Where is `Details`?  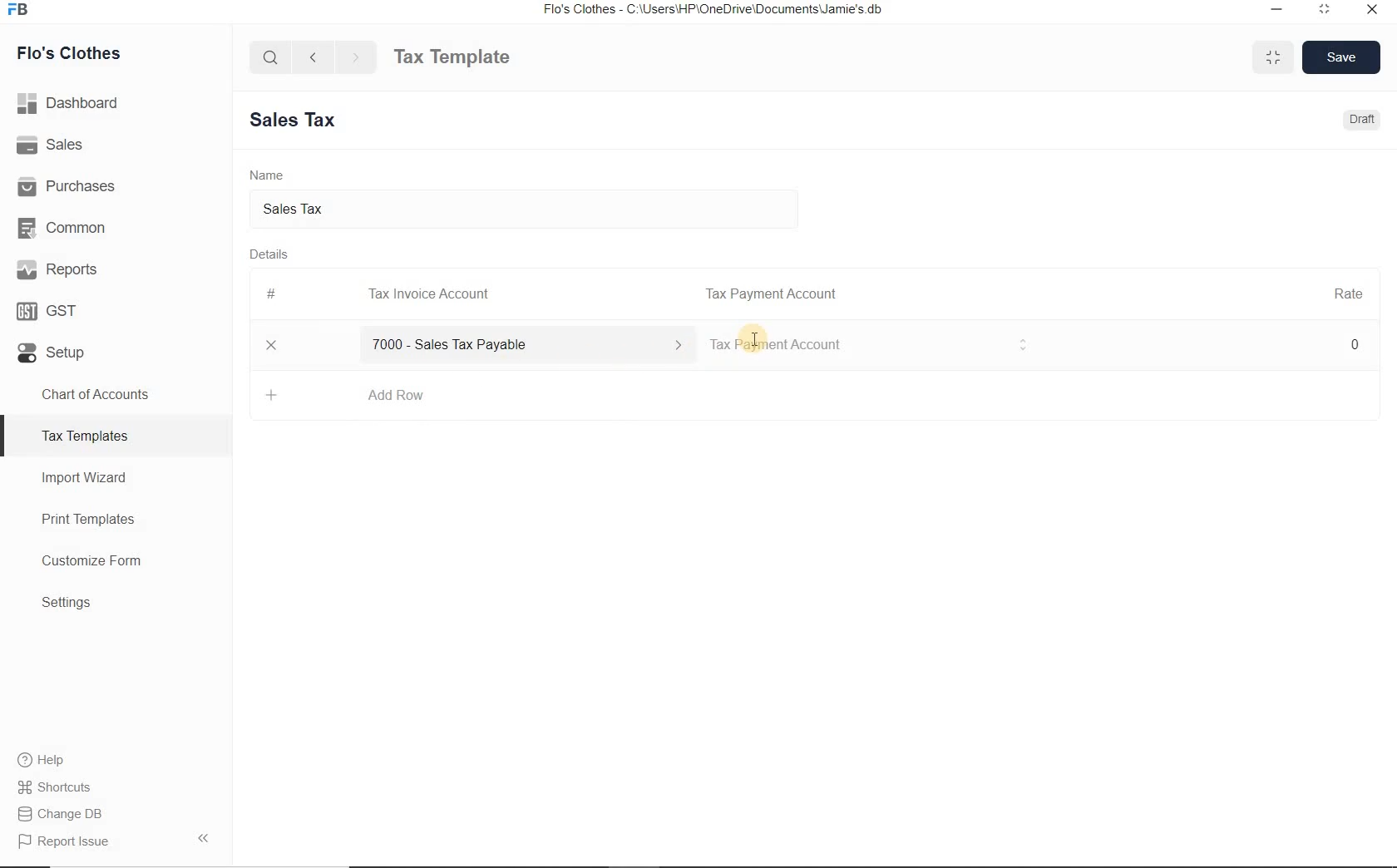 Details is located at coordinates (268, 253).